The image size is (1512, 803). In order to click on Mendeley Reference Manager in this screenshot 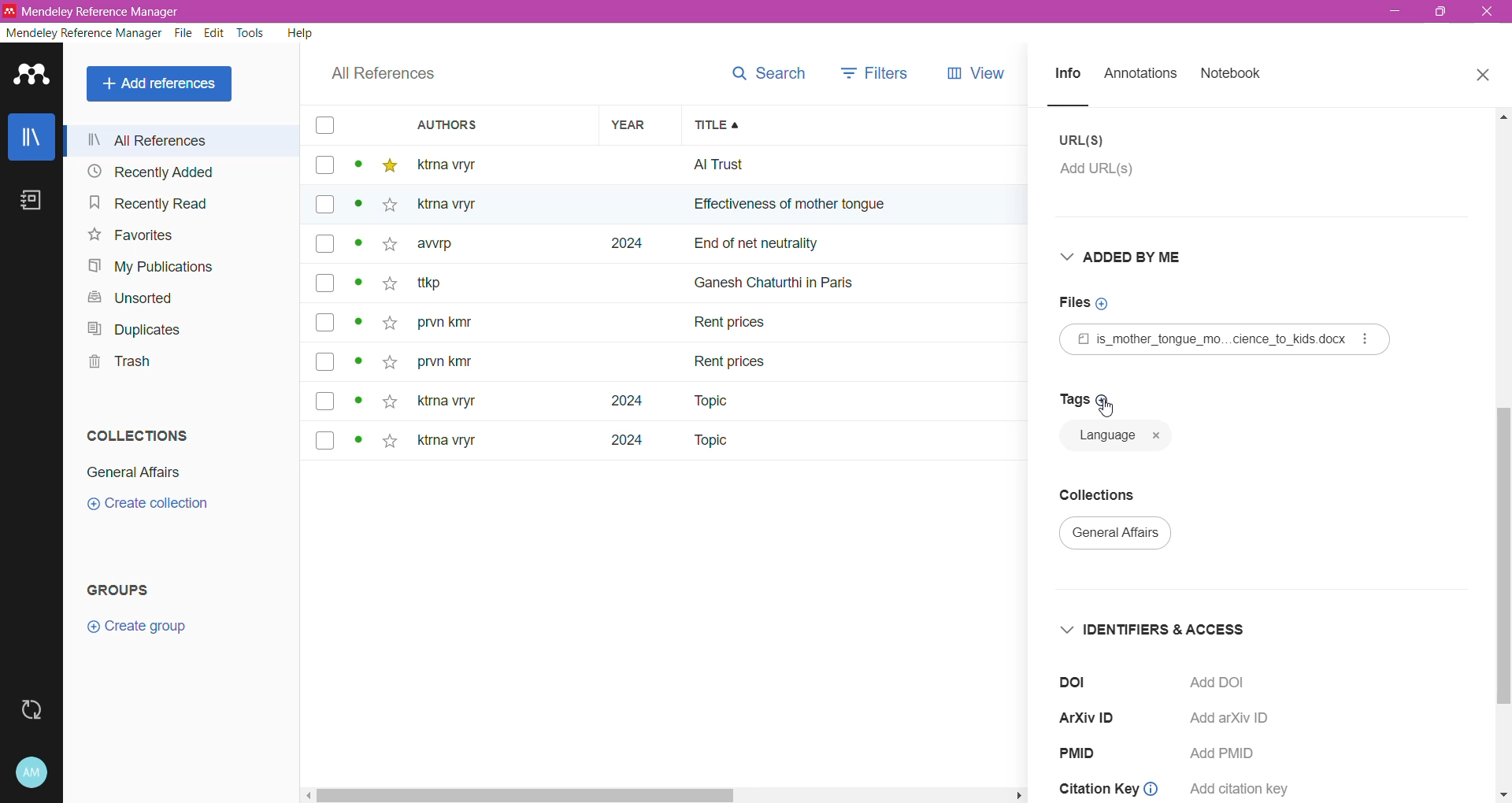, I will do `click(83, 33)`.